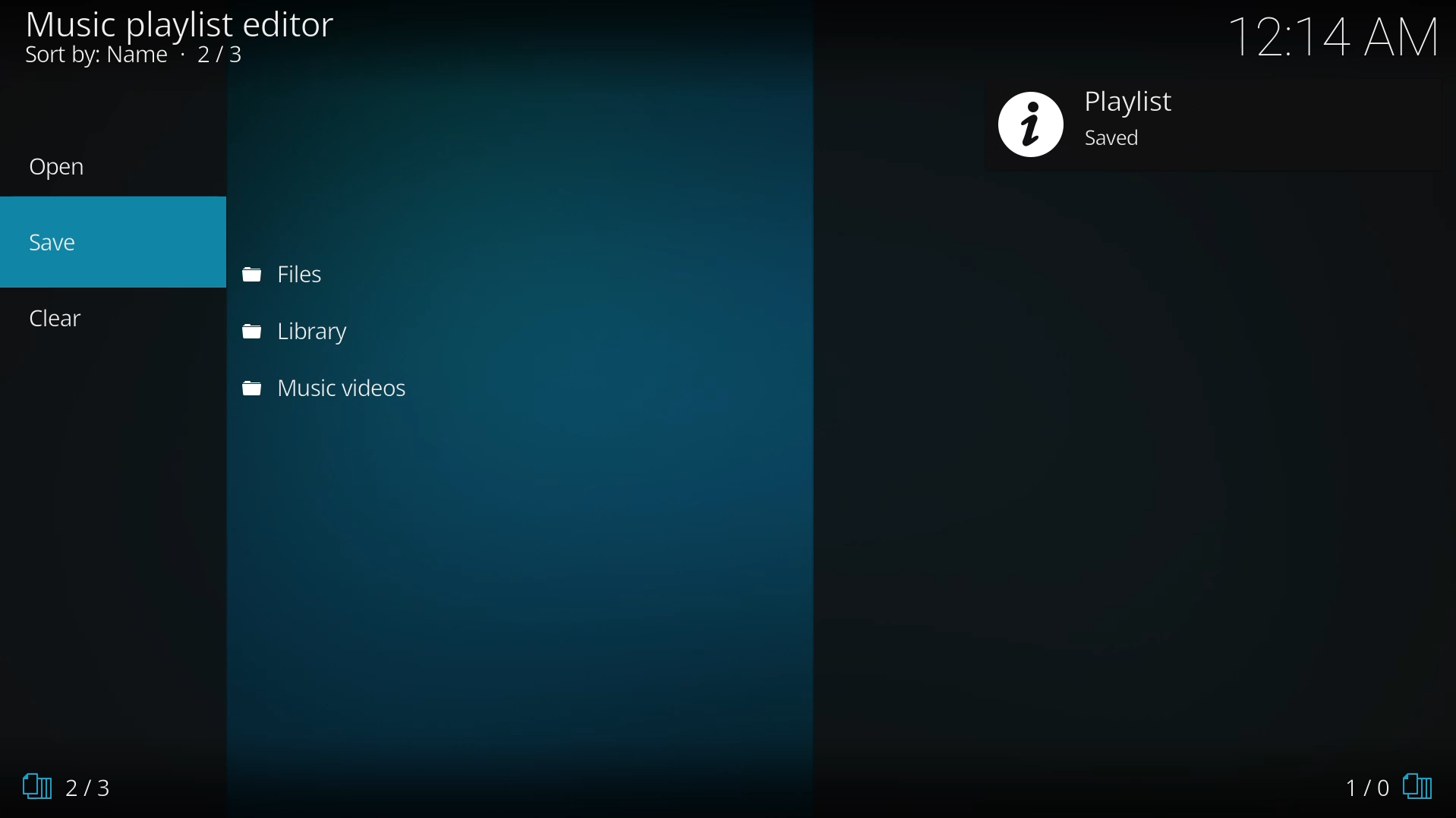  Describe the element at coordinates (1392, 787) in the screenshot. I see `1/0` at that location.